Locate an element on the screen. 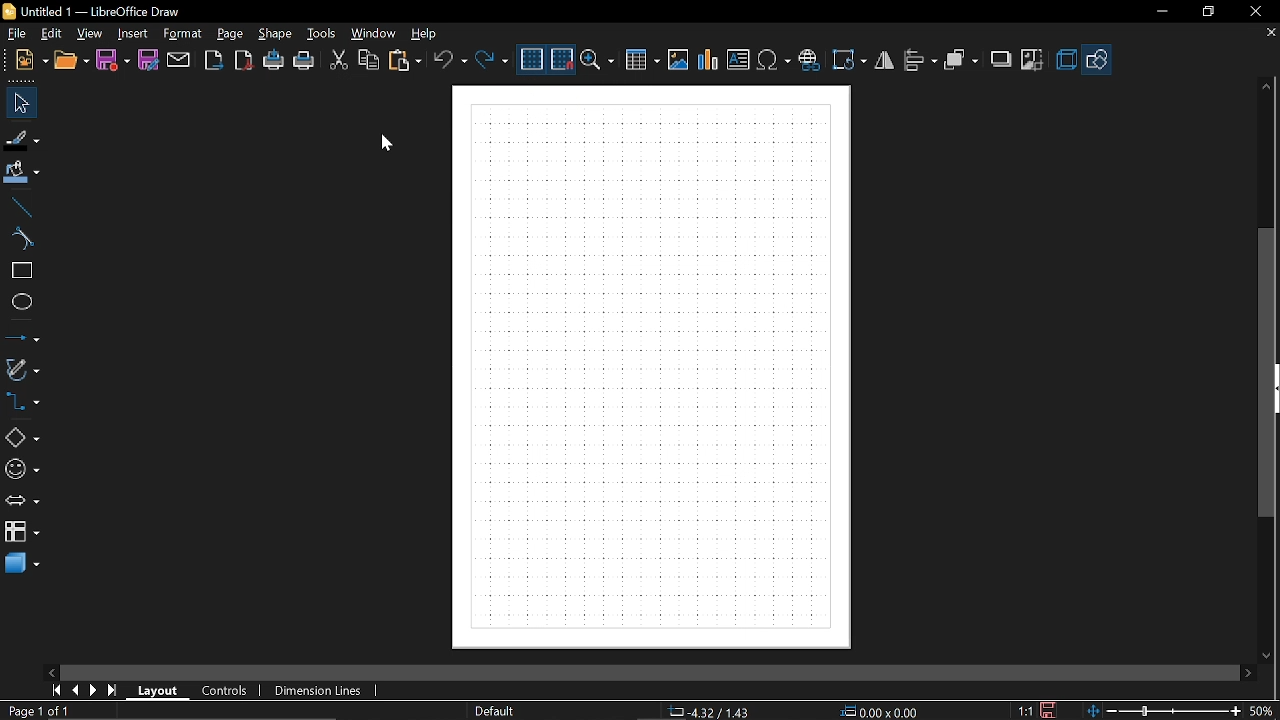  page is located at coordinates (227, 35).